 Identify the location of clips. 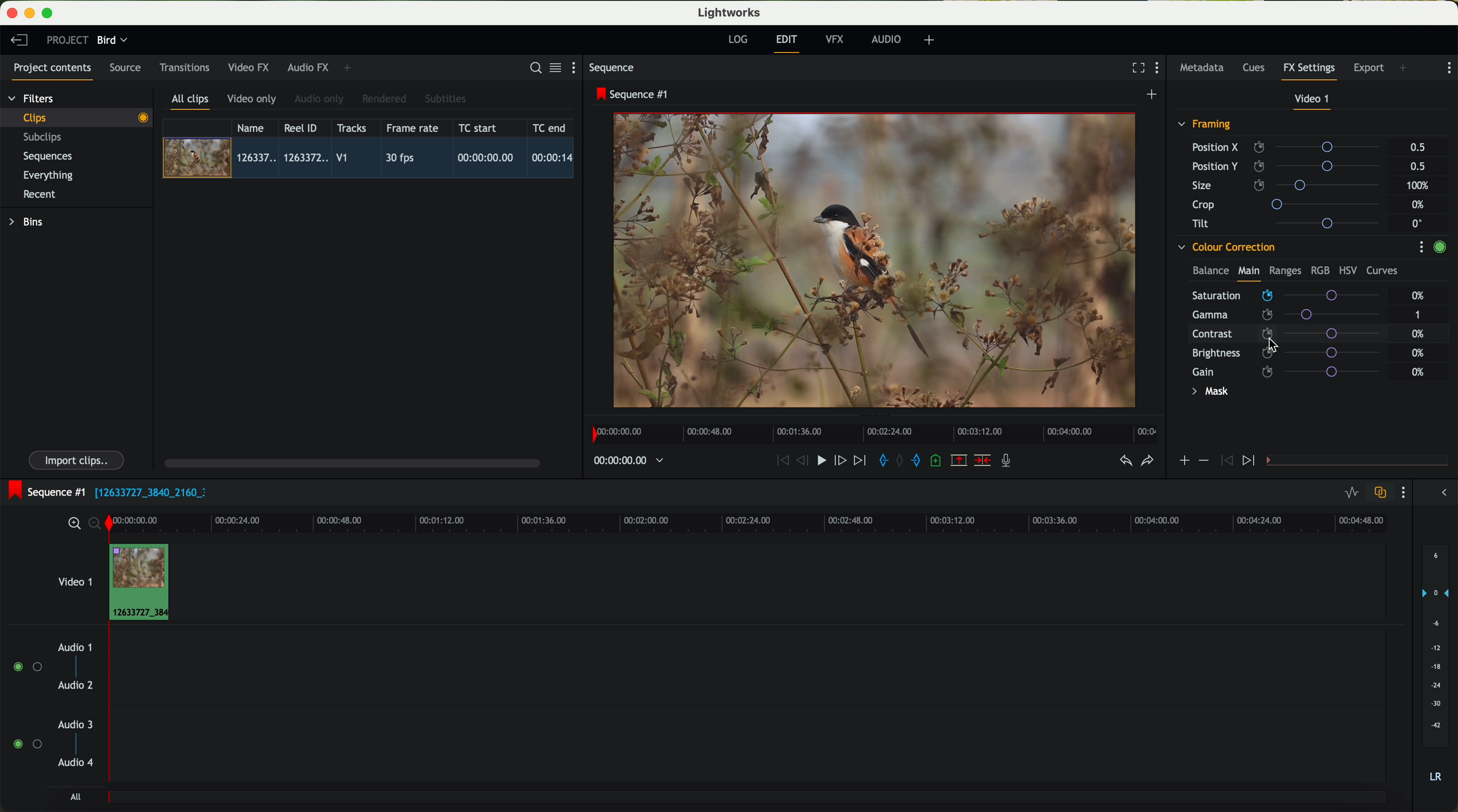
(77, 117).